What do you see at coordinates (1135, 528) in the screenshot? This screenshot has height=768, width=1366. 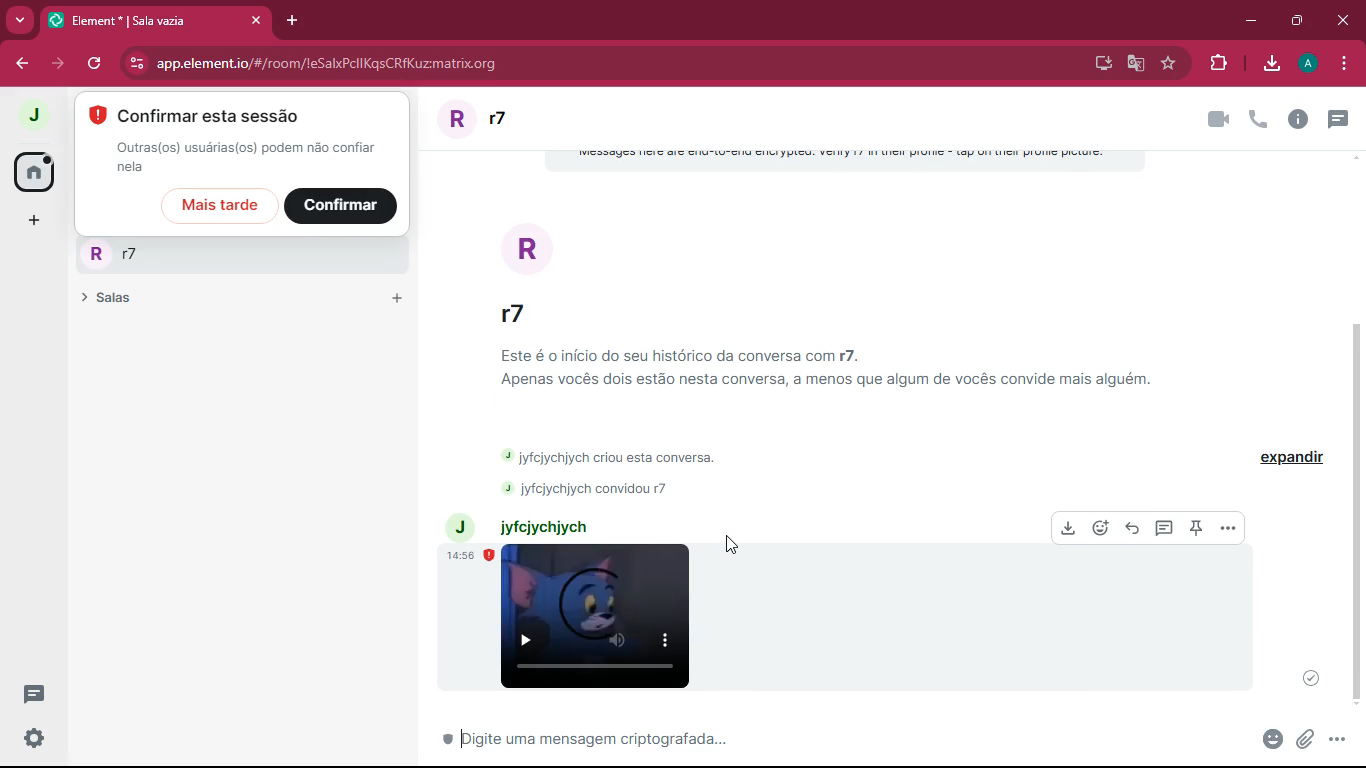 I see `reply` at bounding box center [1135, 528].